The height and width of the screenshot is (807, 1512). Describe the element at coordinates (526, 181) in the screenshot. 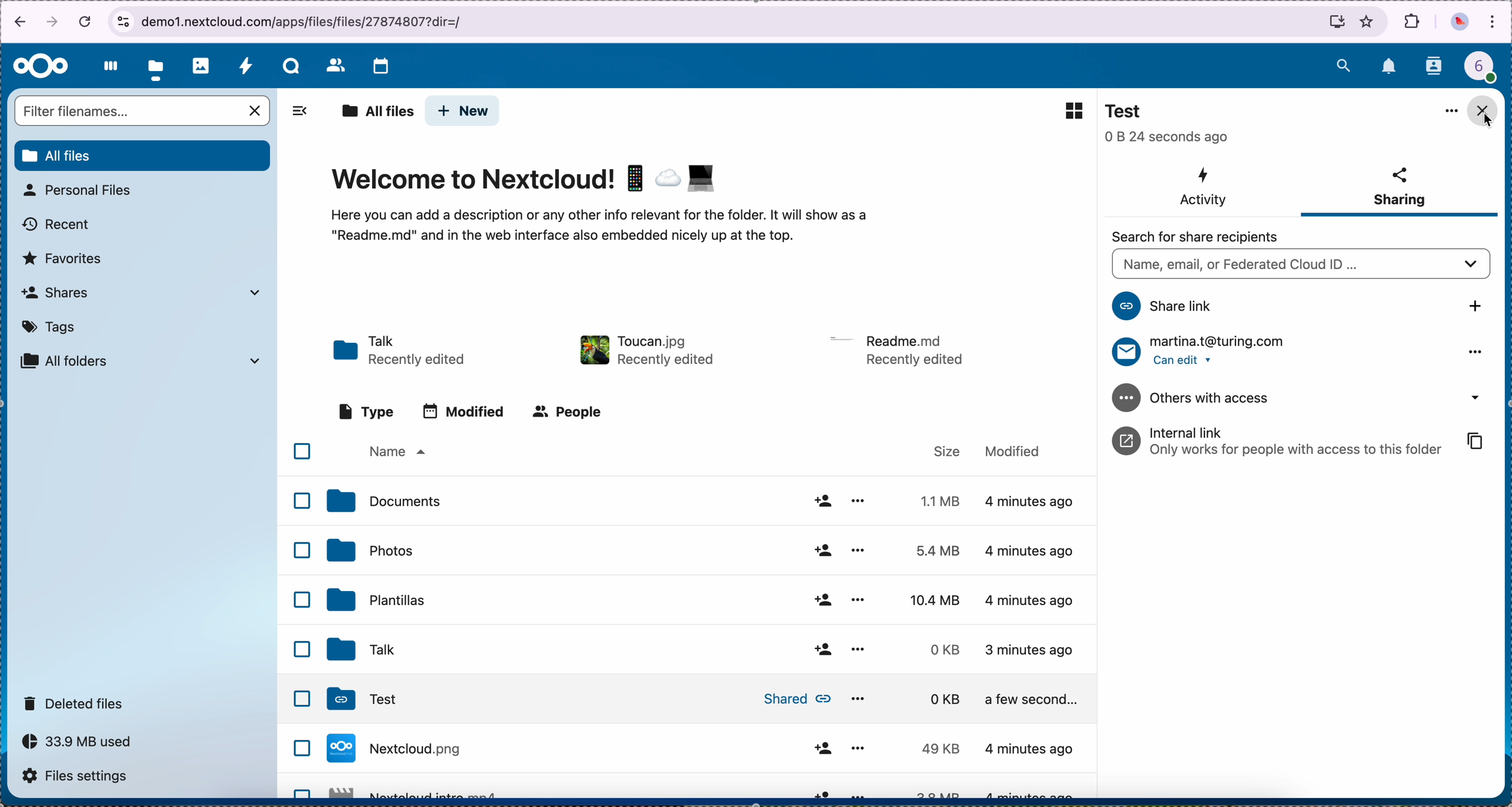

I see `Welcome to Nextcloud` at that location.